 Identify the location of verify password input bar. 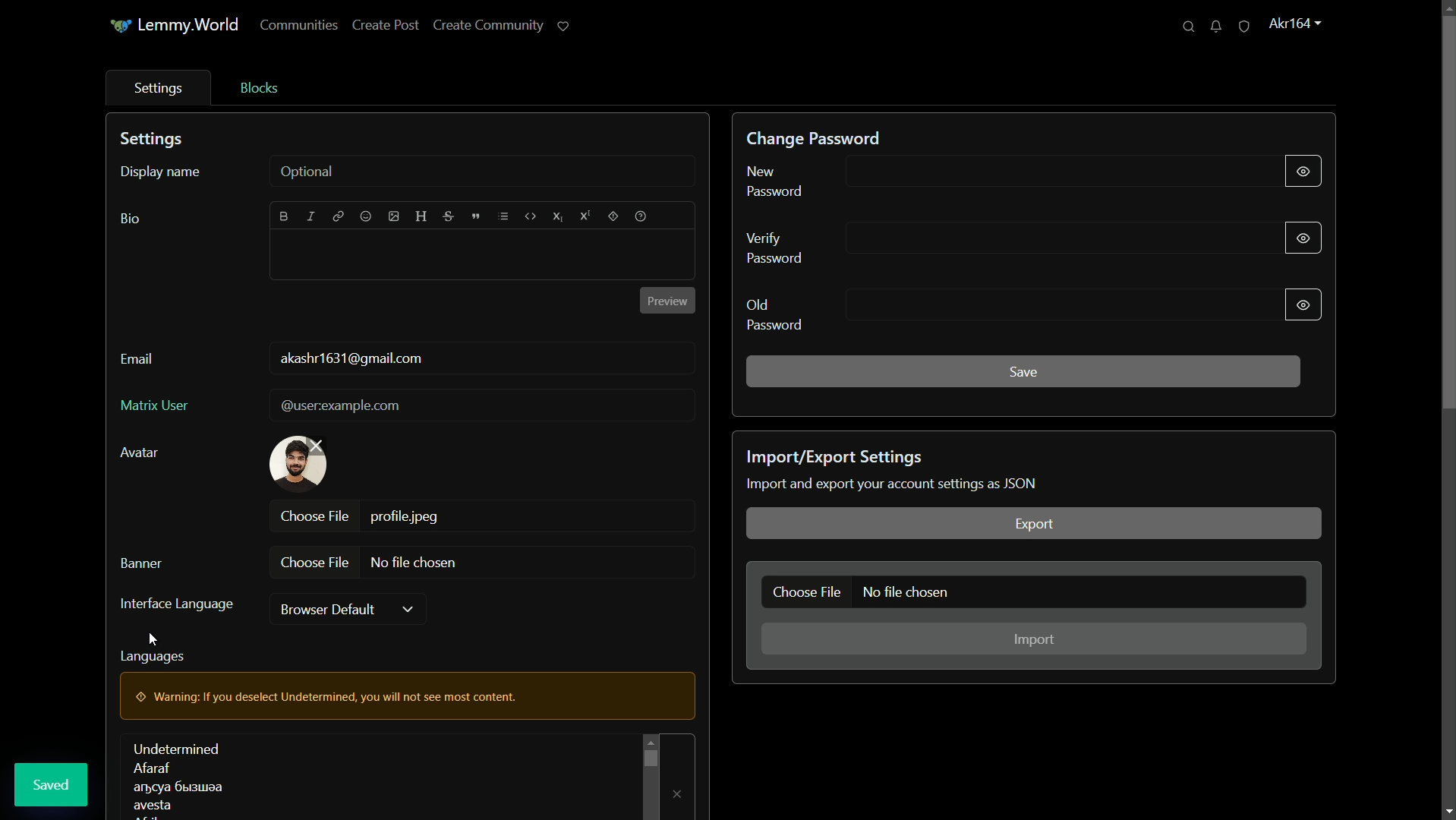
(1048, 237).